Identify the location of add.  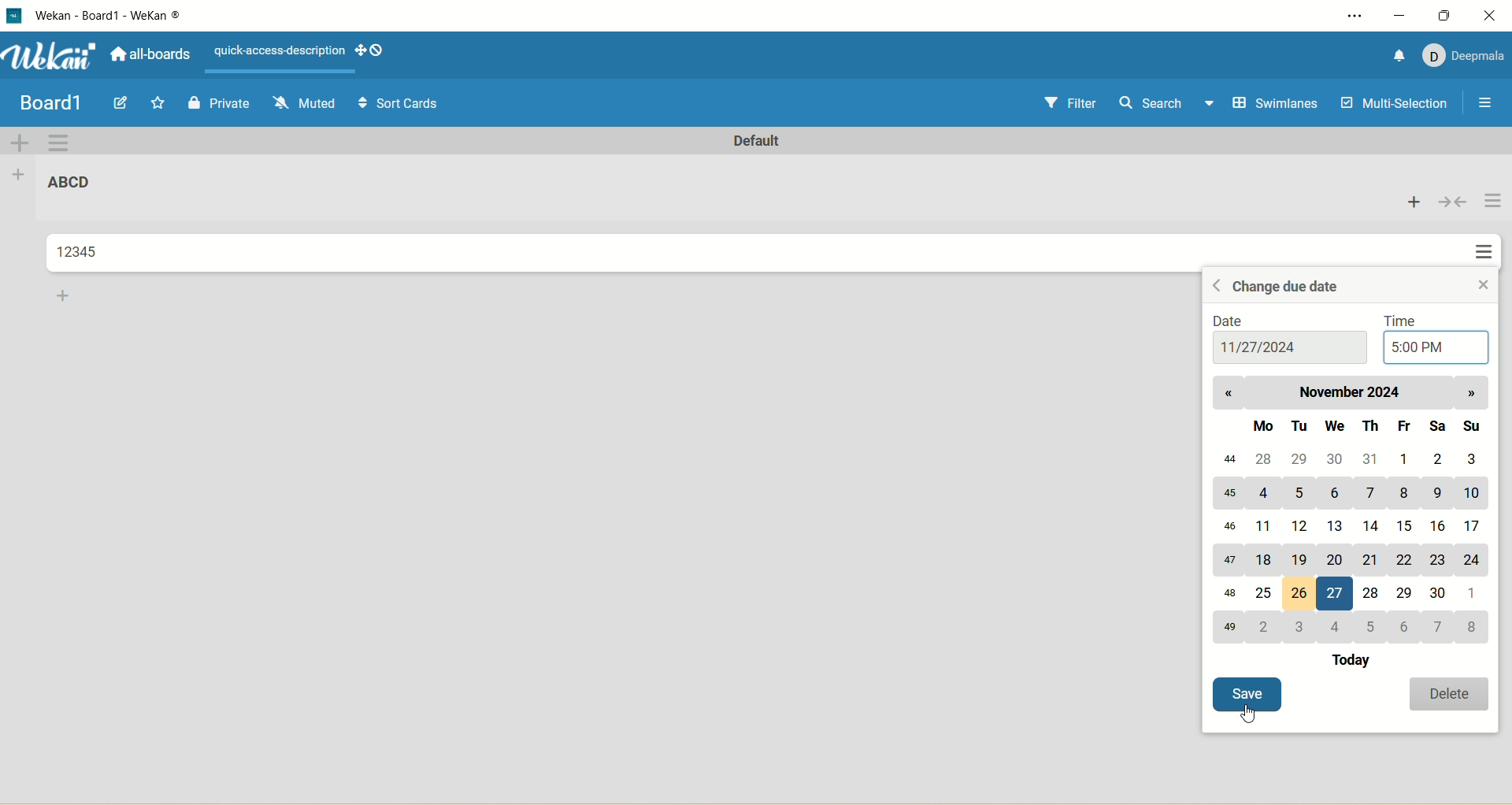
(70, 295).